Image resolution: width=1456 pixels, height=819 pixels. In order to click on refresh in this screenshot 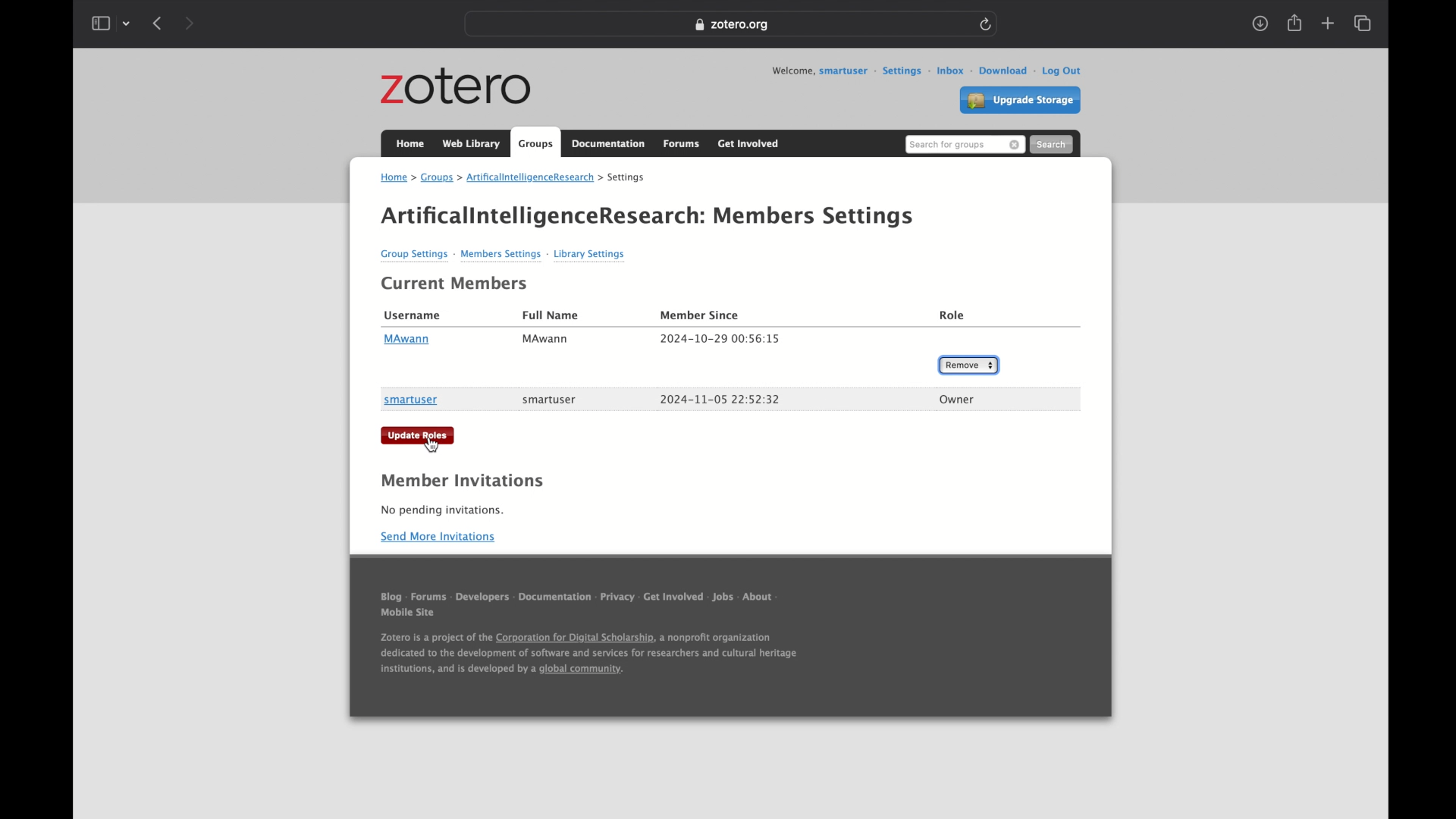, I will do `click(987, 24)`.